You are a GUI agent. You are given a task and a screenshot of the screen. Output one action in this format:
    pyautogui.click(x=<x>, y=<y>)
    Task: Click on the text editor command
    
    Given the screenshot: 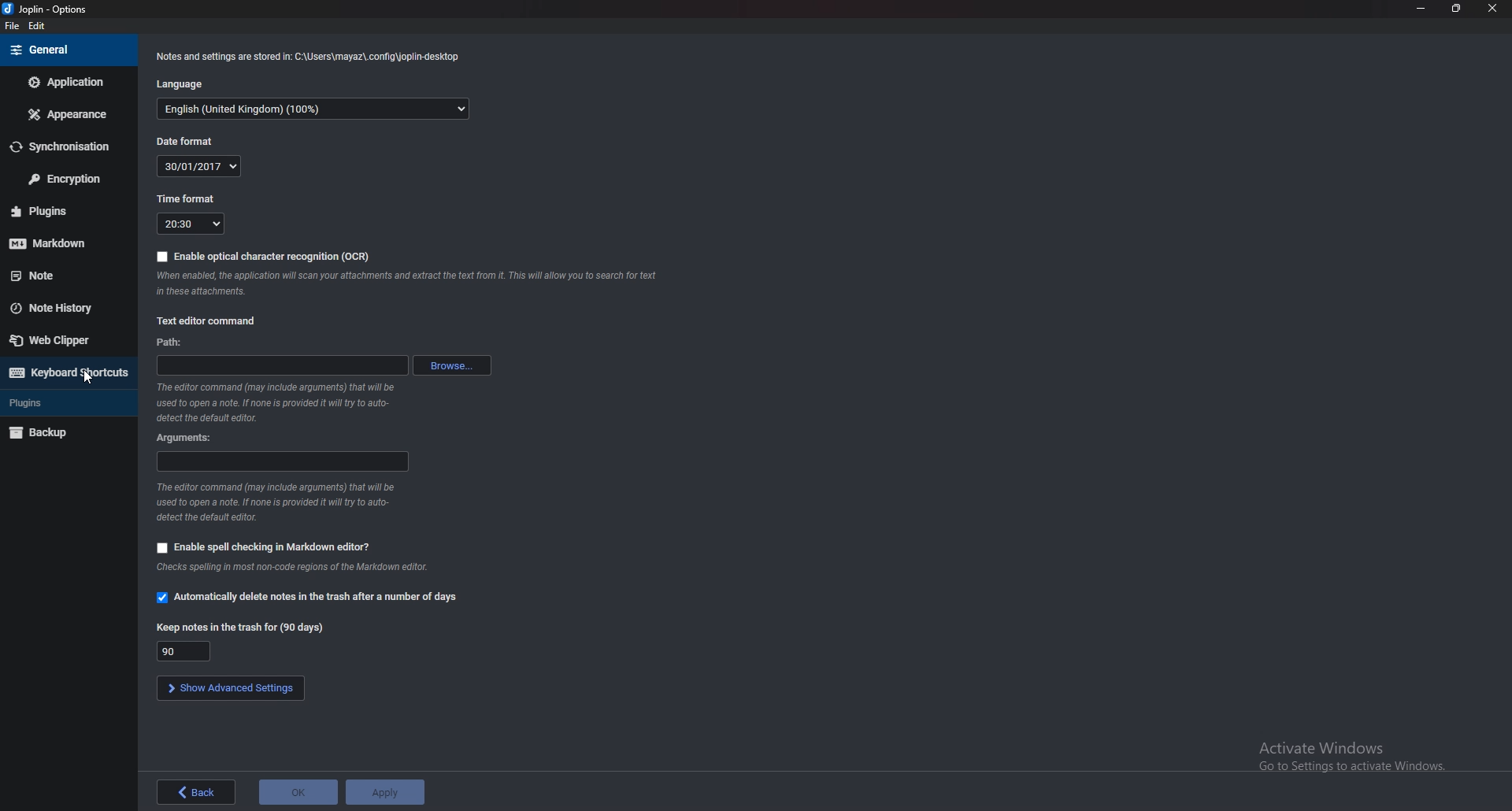 What is the action you would take?
    pyautogui.click(x=211, y=320)
    